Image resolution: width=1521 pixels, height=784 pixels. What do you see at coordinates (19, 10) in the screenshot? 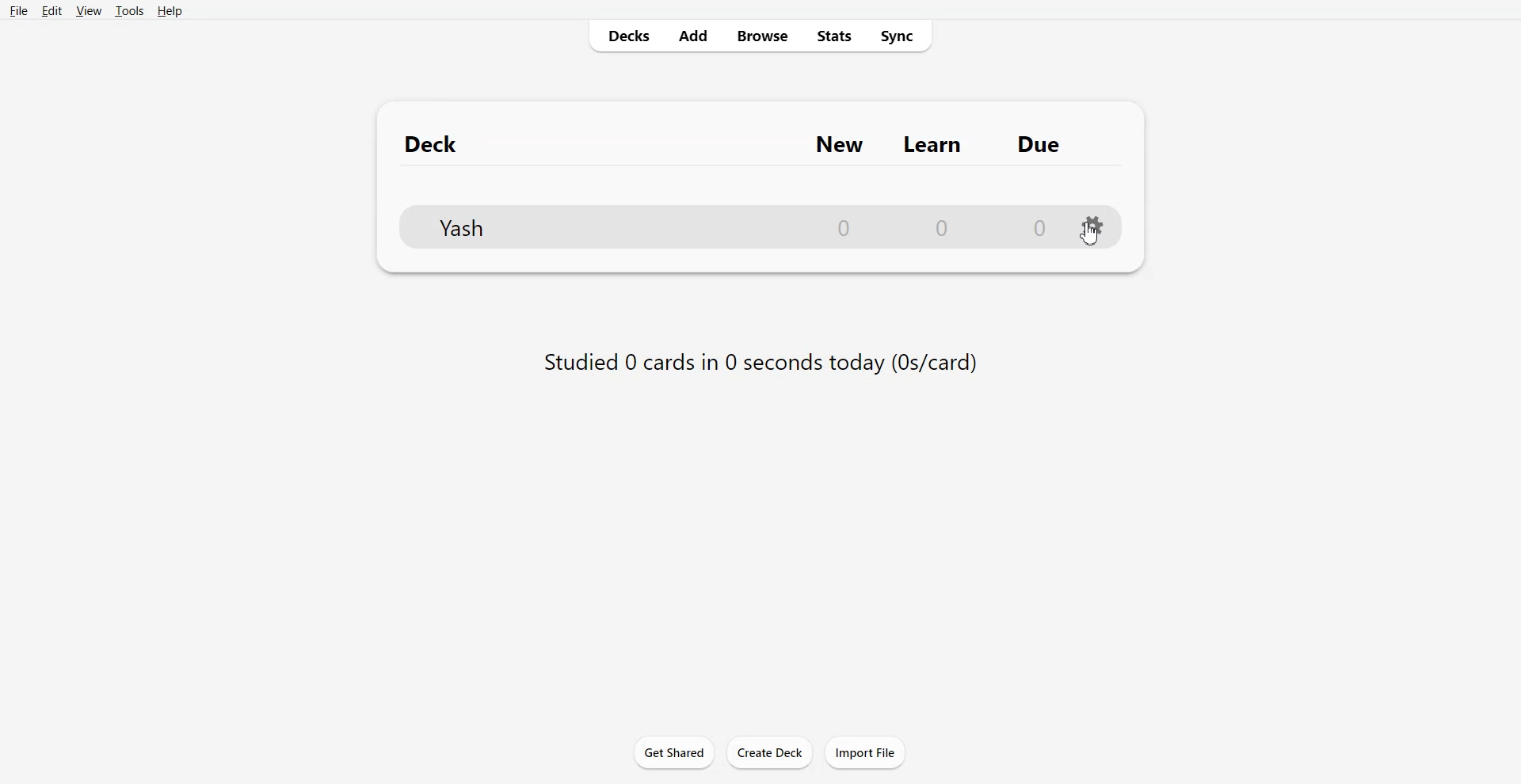
I see `File` at bounding box center [19, 10].